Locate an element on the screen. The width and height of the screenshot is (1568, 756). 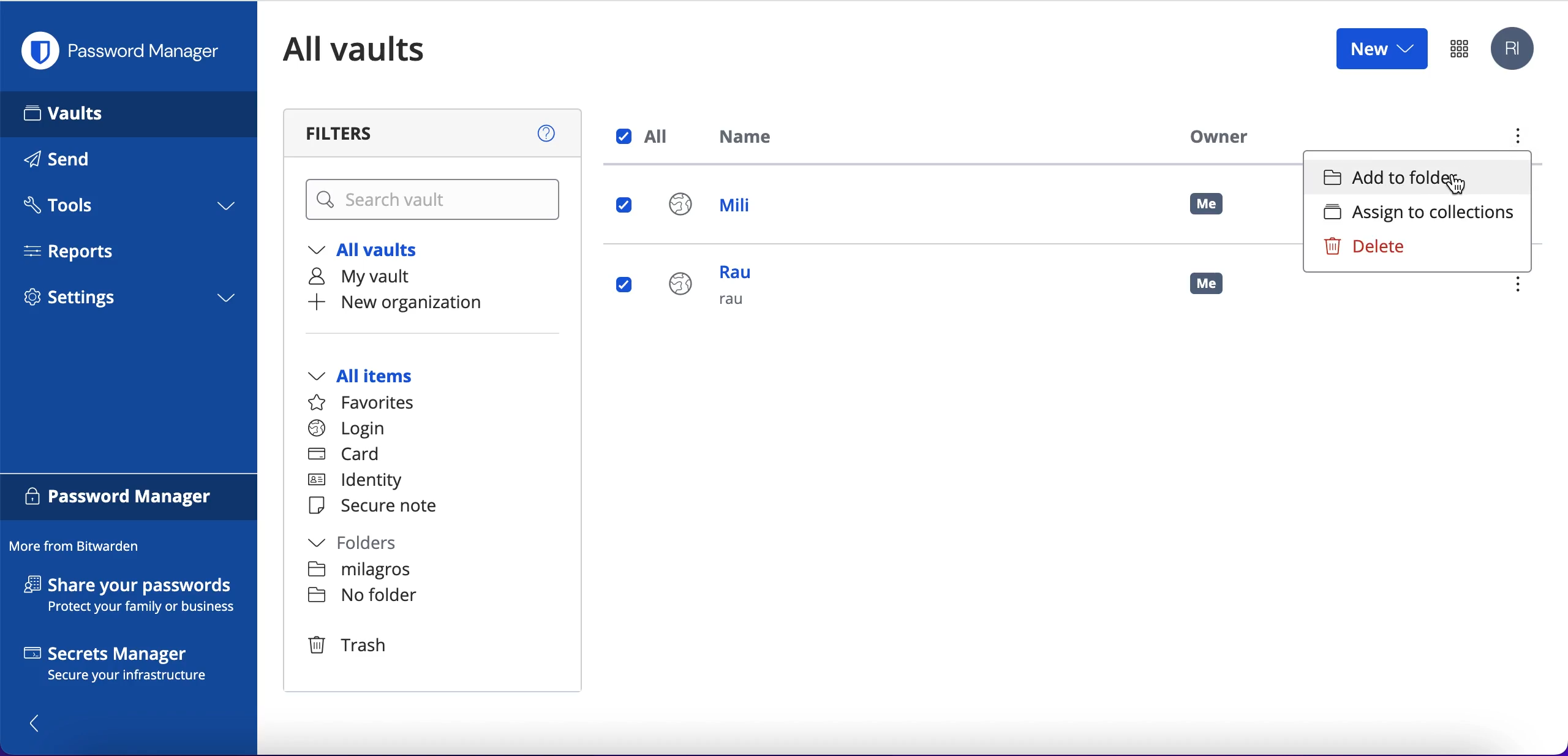
reports is located at coordinates (78, 251).